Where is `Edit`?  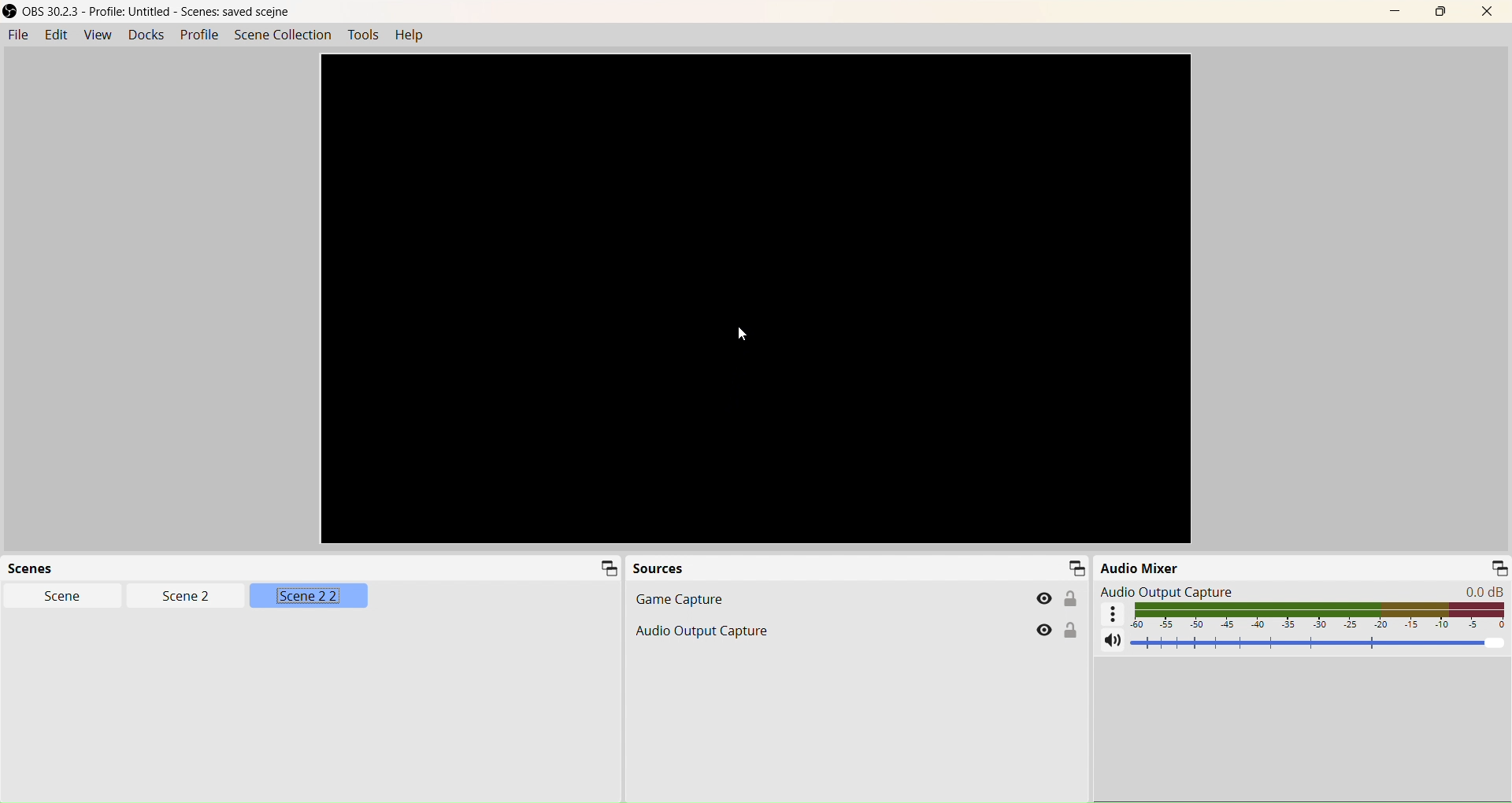
Edit is located at coordinates (54, 34).